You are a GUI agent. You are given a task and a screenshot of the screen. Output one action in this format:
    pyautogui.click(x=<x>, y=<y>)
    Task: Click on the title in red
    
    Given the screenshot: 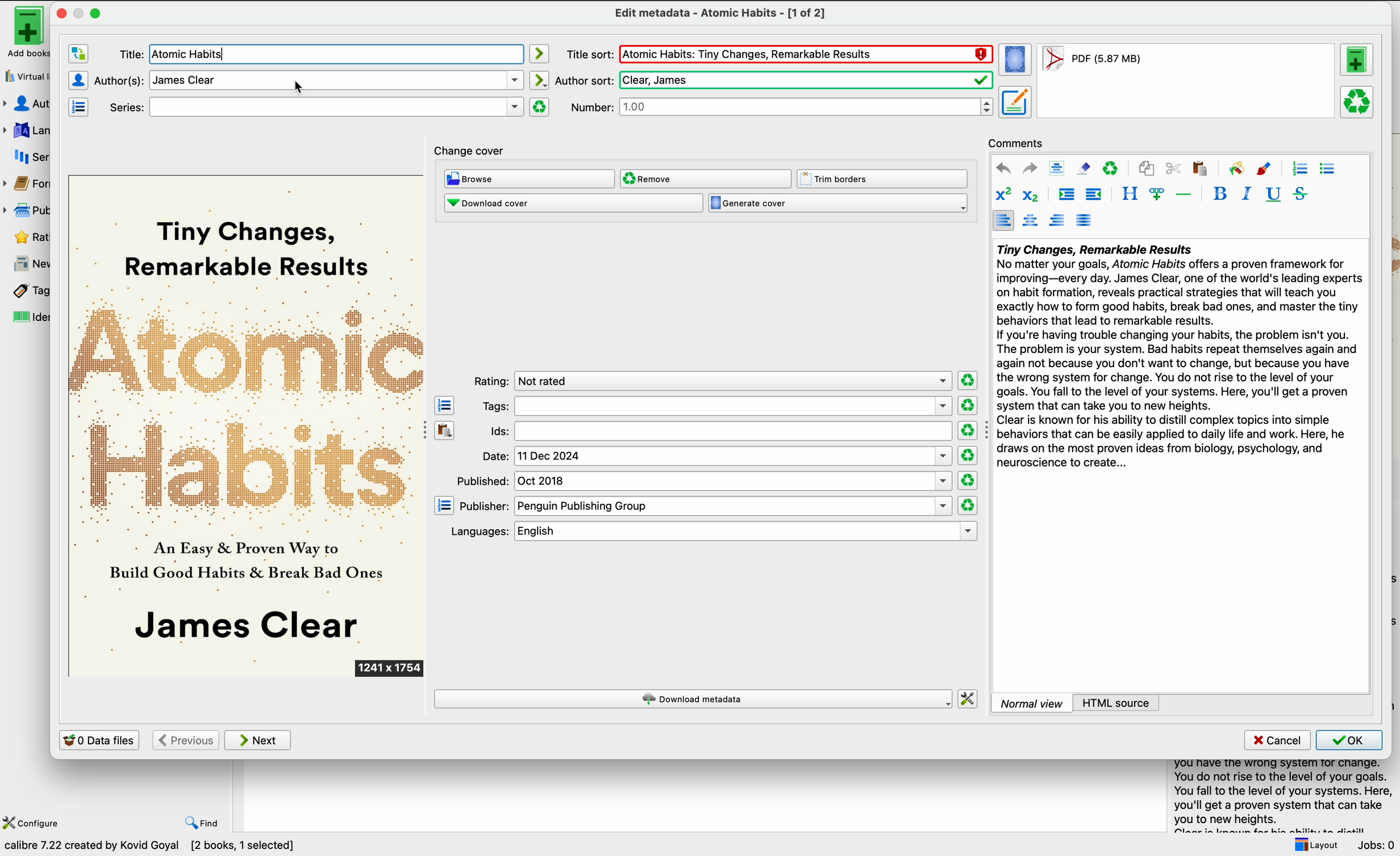 What is the action you would take?
    pyautogui.click(x=806, y=55)
    